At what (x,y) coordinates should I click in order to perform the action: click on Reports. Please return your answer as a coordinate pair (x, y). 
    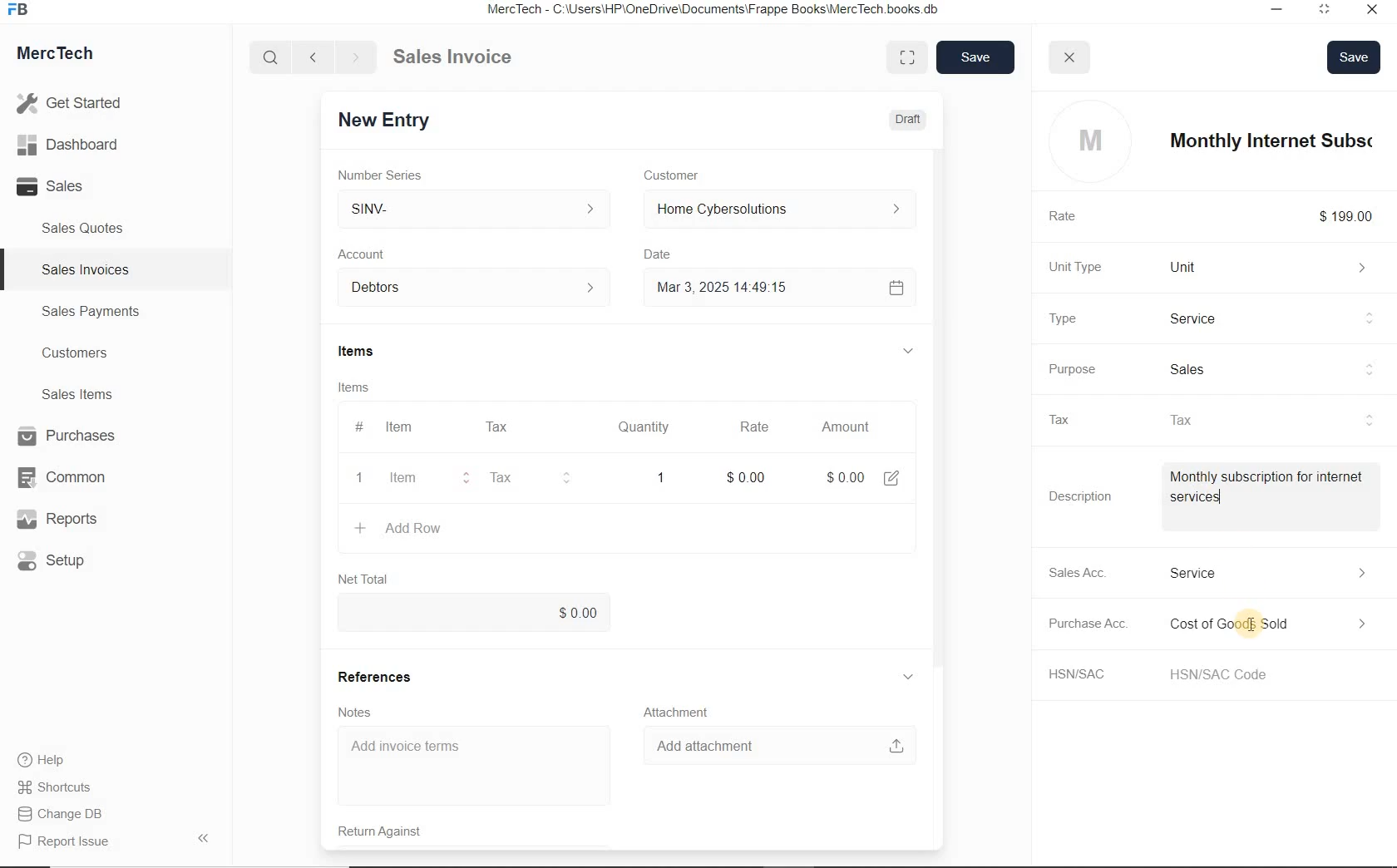
    Looking at the image, I should click on (70, 520).